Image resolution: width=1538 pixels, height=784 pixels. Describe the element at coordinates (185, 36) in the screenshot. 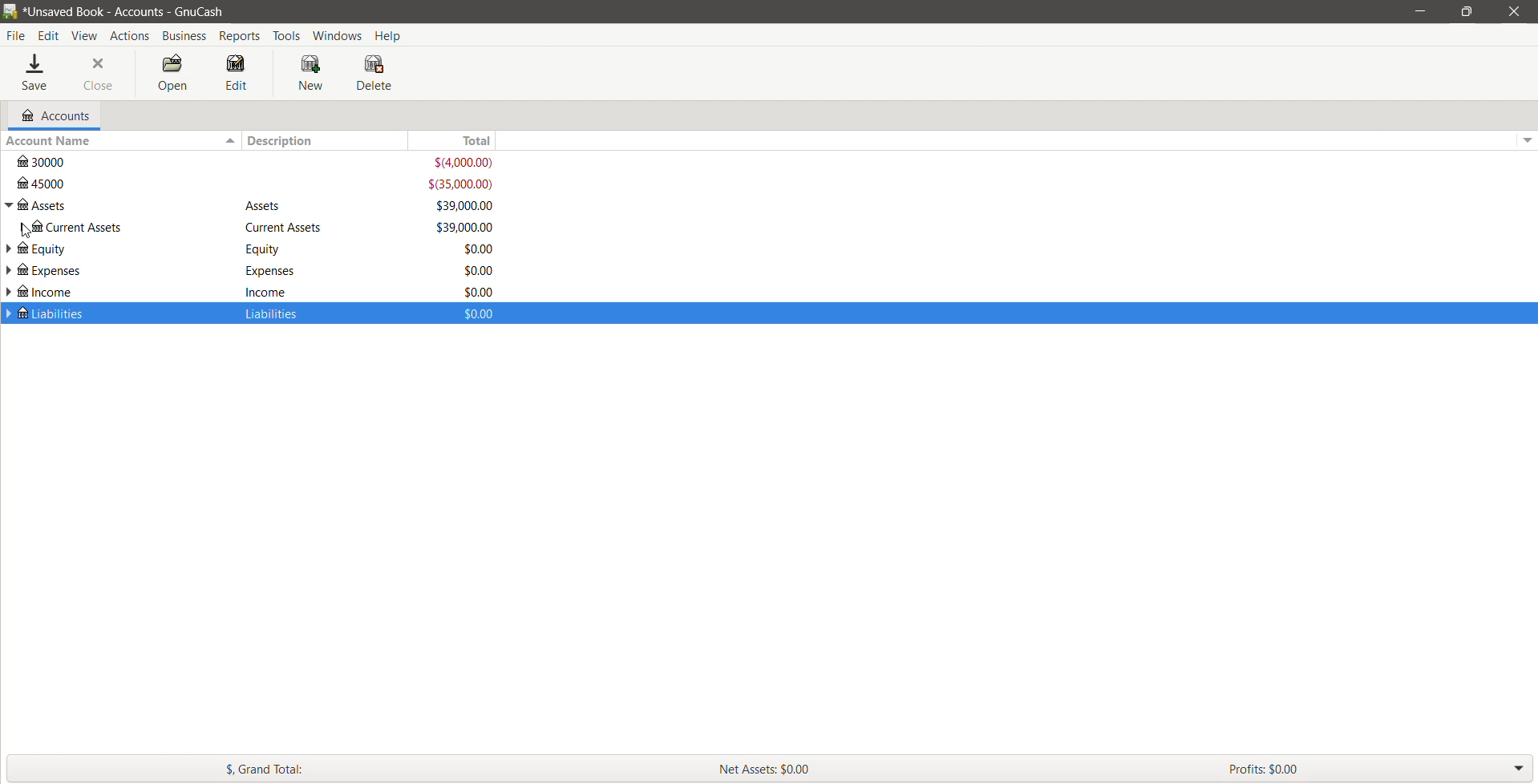

I see `Business` at that location.